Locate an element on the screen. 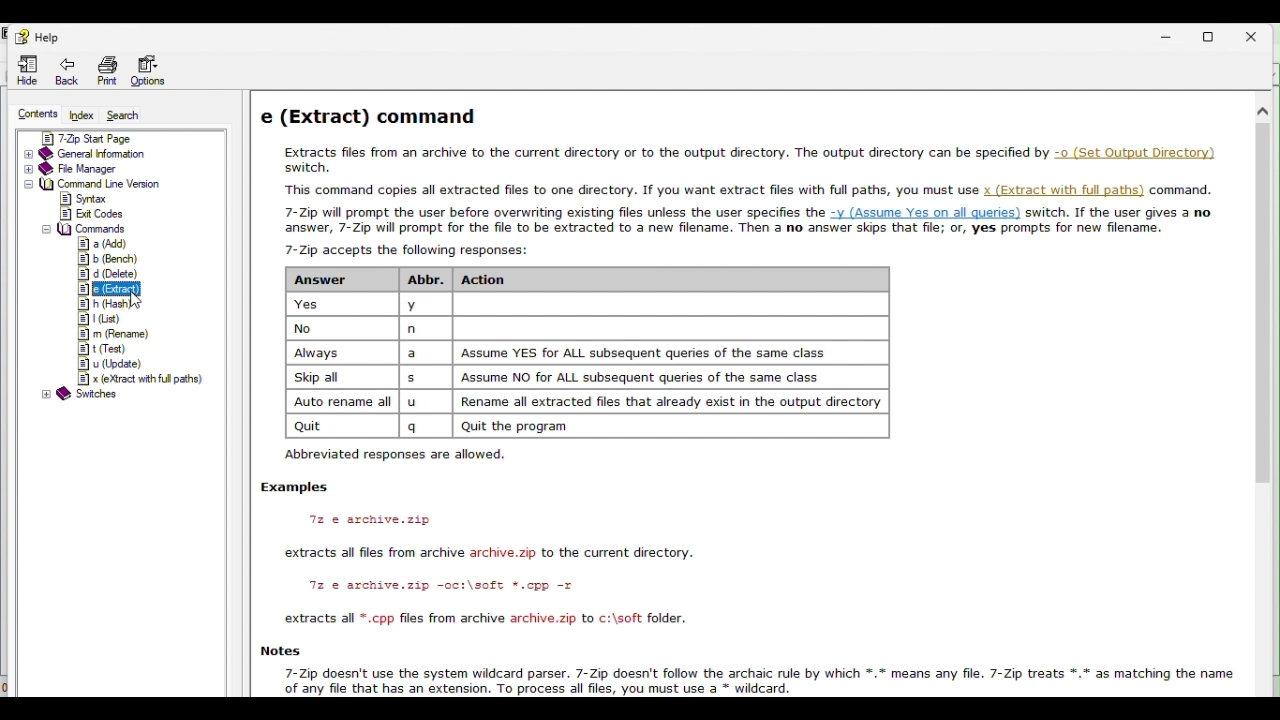  x( extract with full path) is located at coordinates (138, 379).